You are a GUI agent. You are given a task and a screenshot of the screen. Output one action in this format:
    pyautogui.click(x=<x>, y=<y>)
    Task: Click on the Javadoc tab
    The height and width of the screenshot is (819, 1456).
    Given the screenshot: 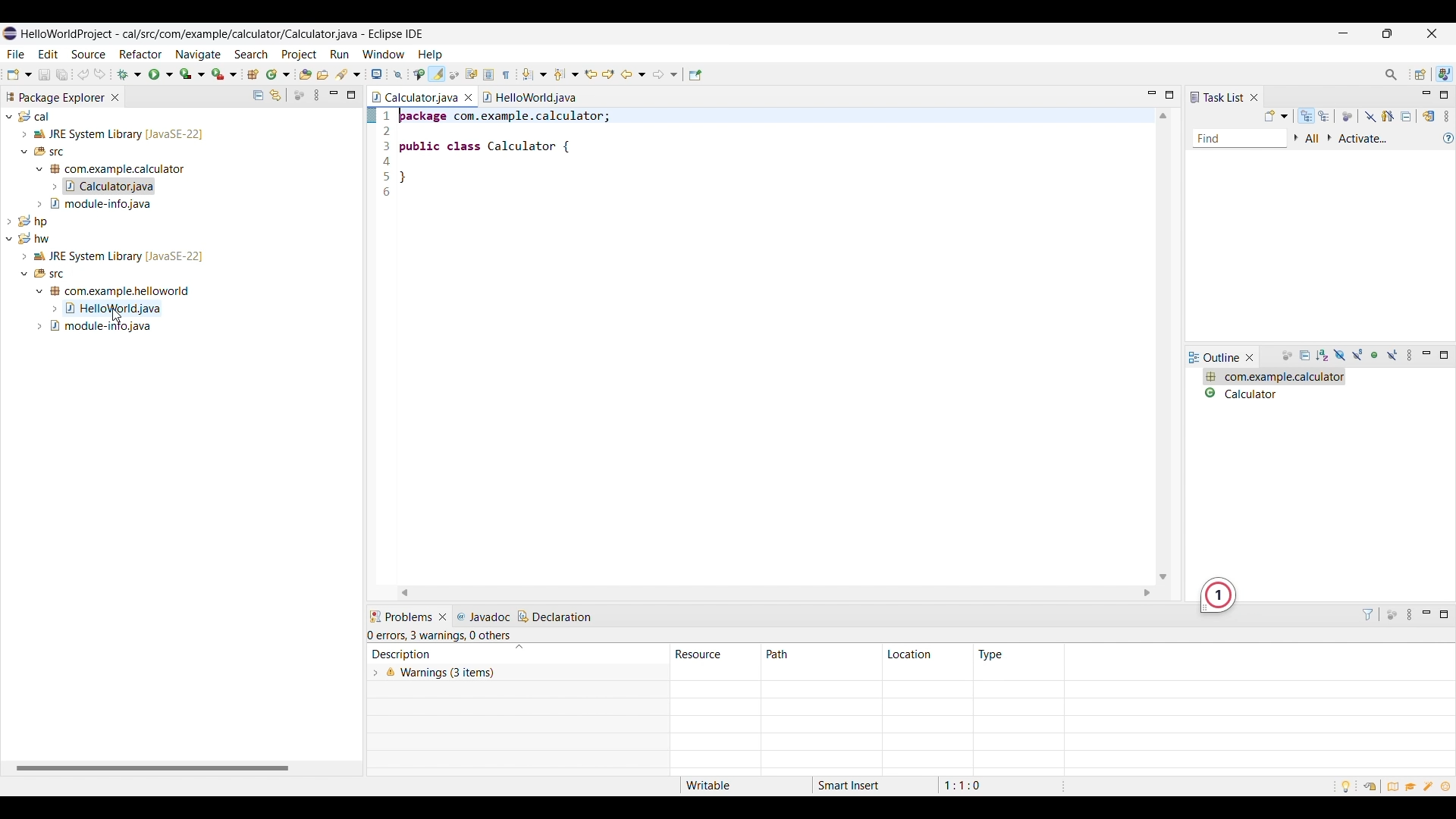 What is the action you would take?
    pyautogui.click(x=485, y=617)
    